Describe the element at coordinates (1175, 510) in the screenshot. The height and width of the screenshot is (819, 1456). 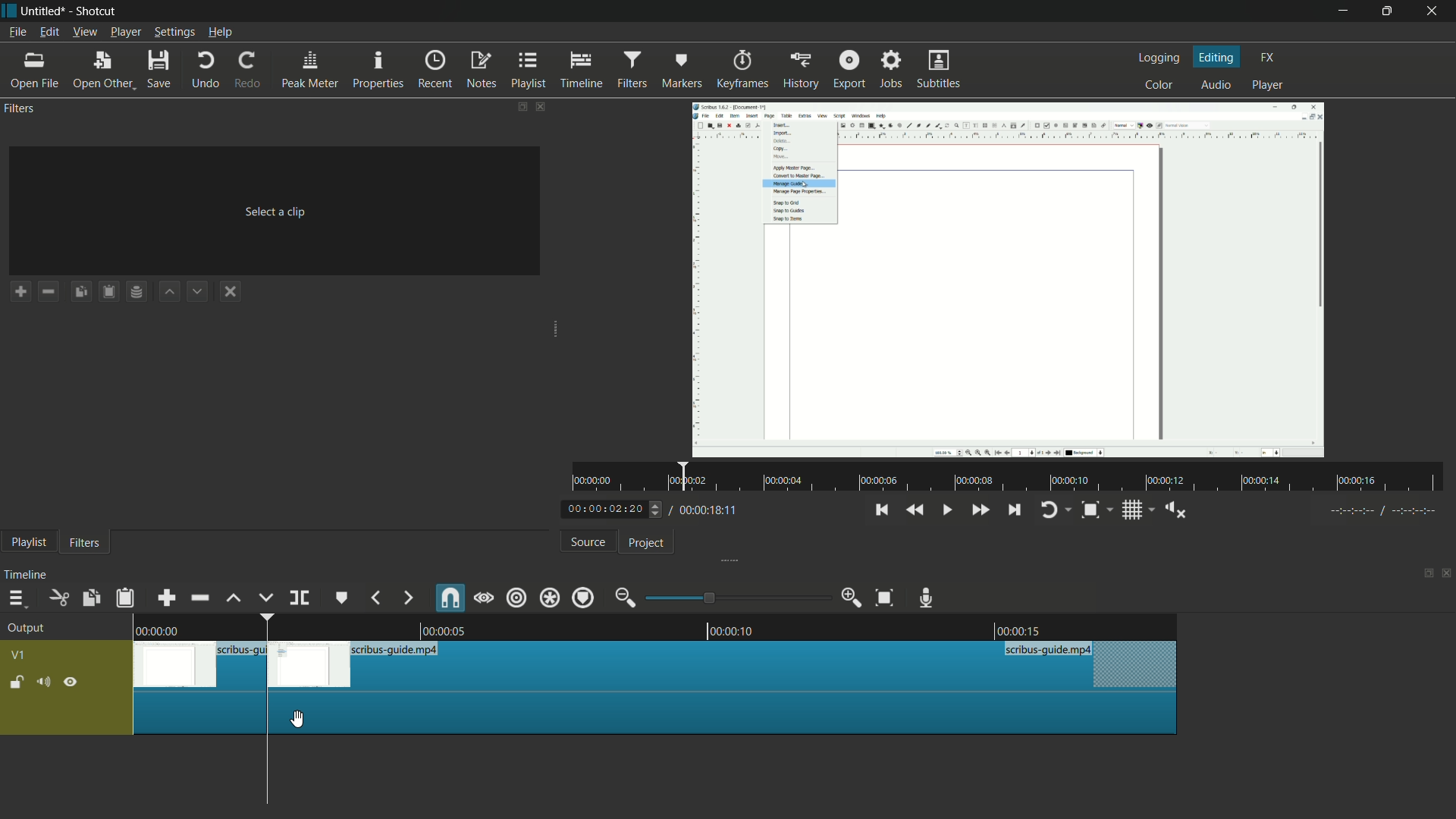
I see `show volume control` at that location.